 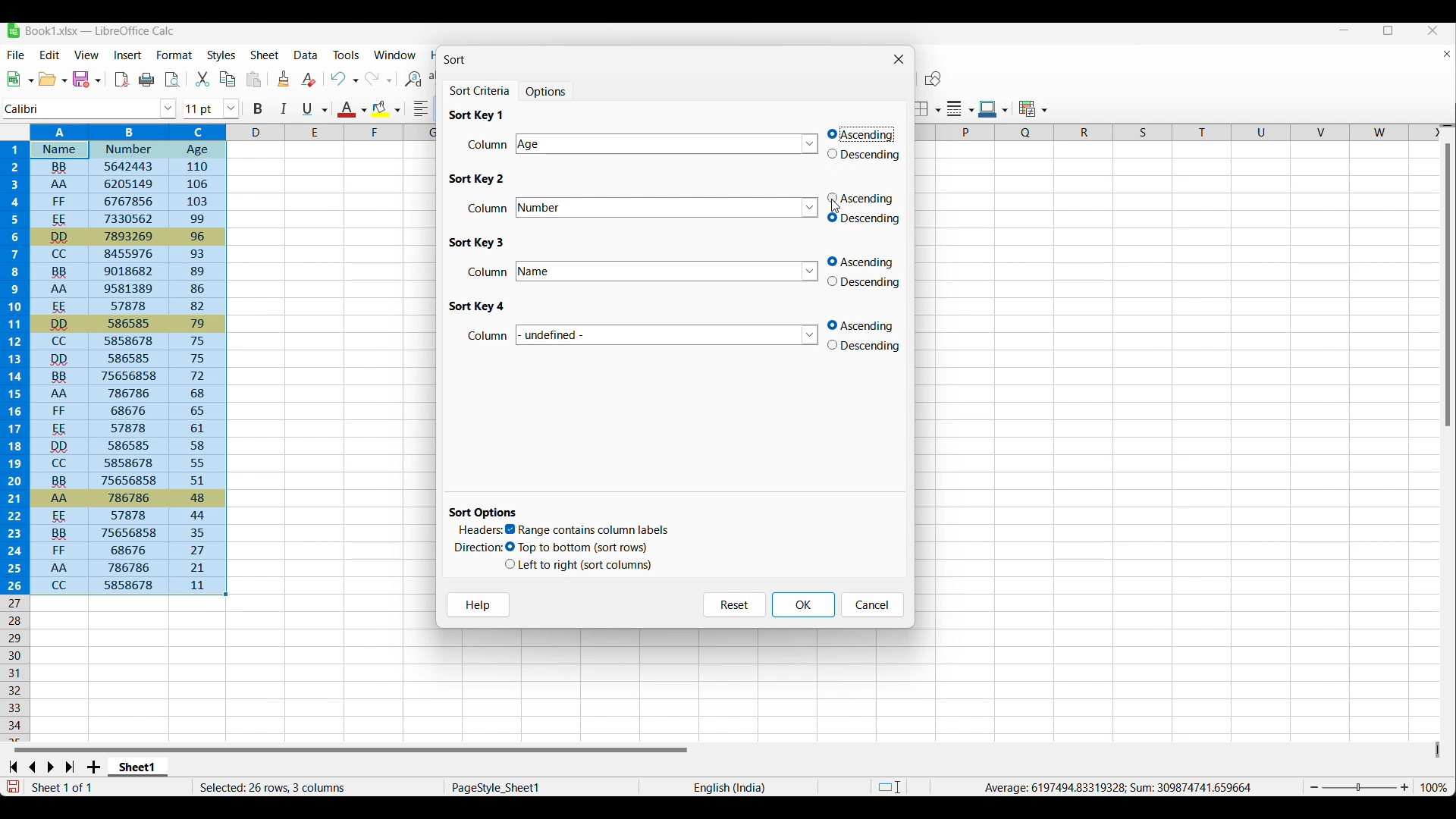 What do you see at coordinates (309, 79) in the screenshot?
I see `Clear direct formatting` at bounding box center [309, 79].